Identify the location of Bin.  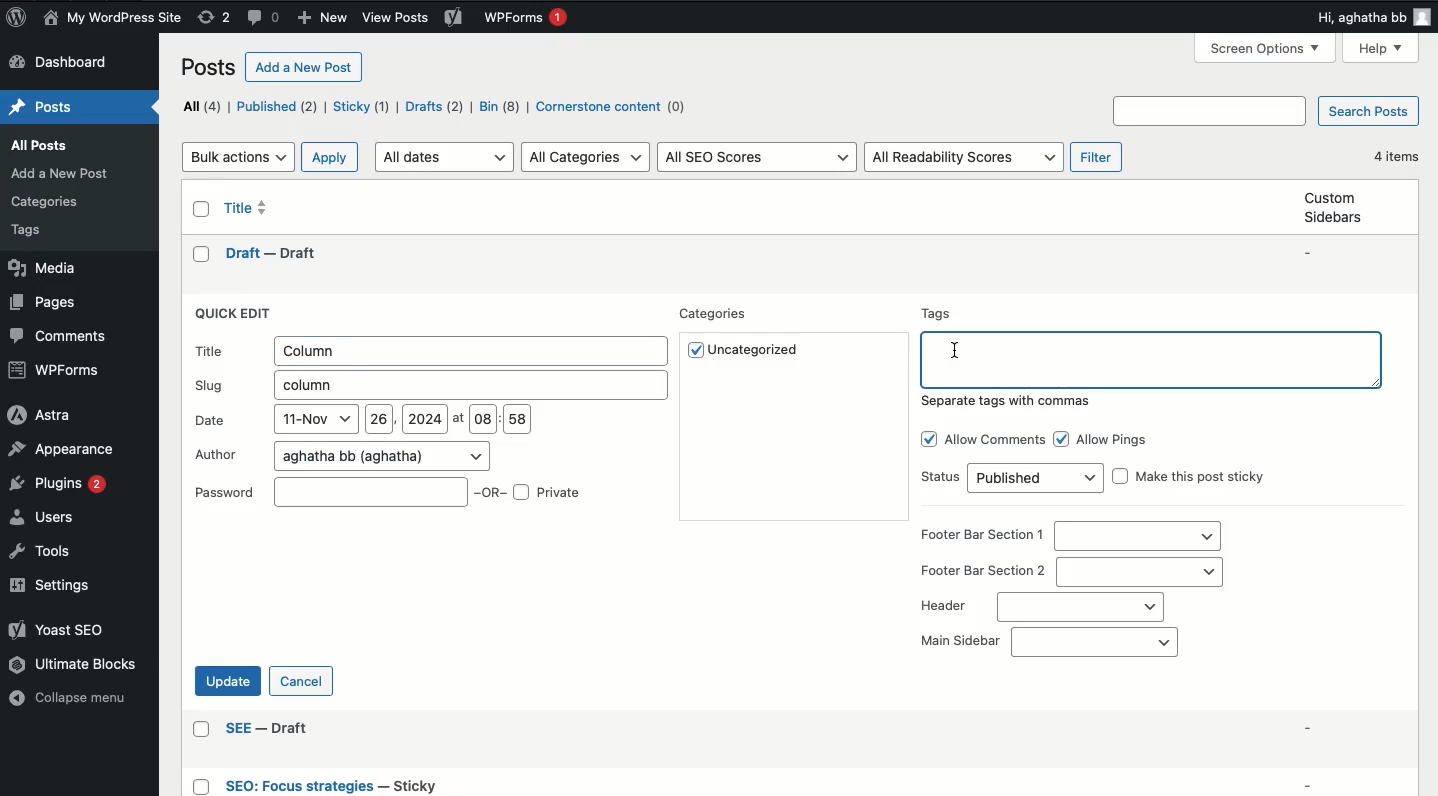
(500, 108).